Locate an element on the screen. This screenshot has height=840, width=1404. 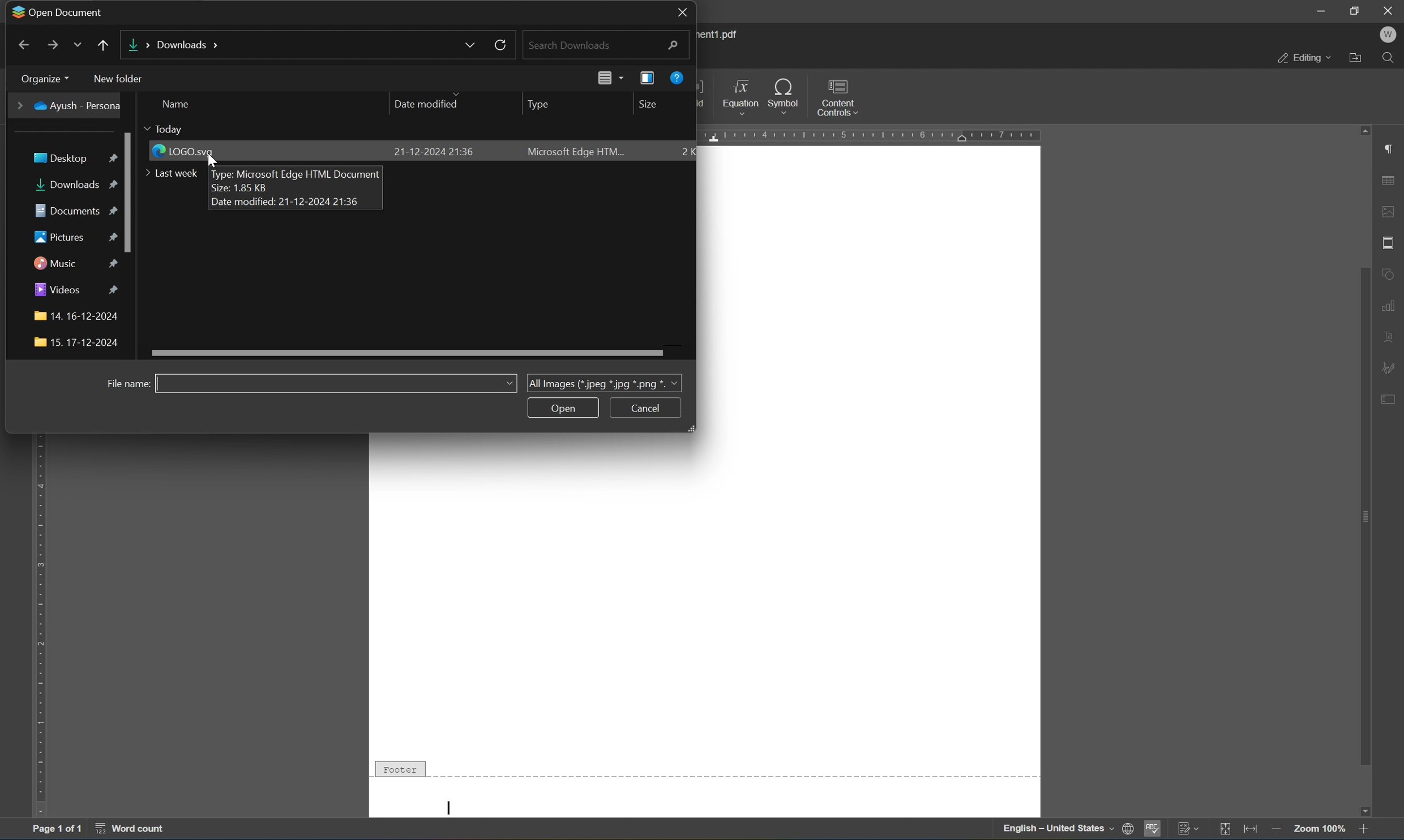
documents is located at coordinates (75, 213).